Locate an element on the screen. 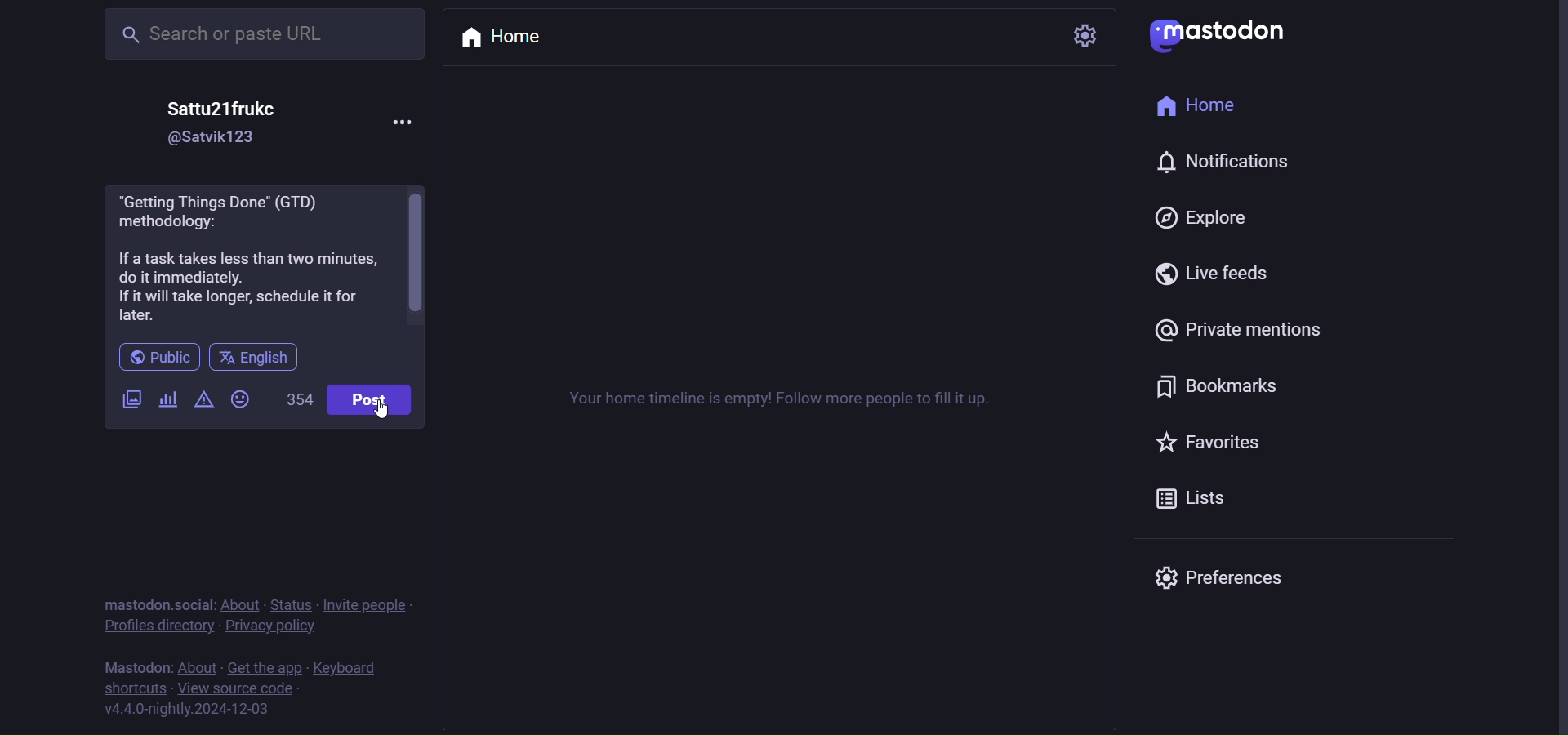 This screenshot has width=1568, height=735. live feed is located at coordinates (1218, 274).